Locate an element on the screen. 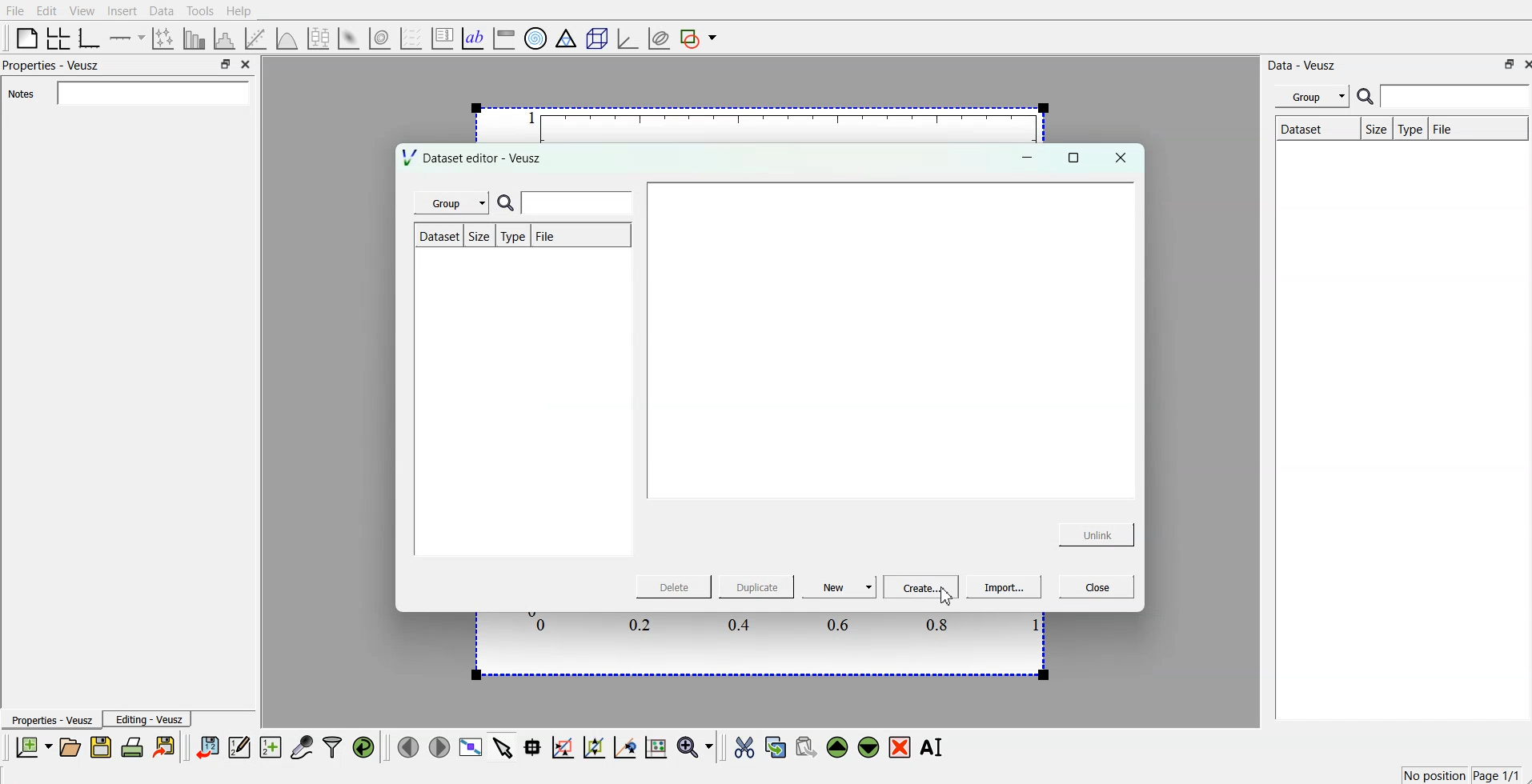 Image resolution: width=1532 pixels, height=784 pixels. plot 2d datasets as contours is located at coordinates (380, 36).